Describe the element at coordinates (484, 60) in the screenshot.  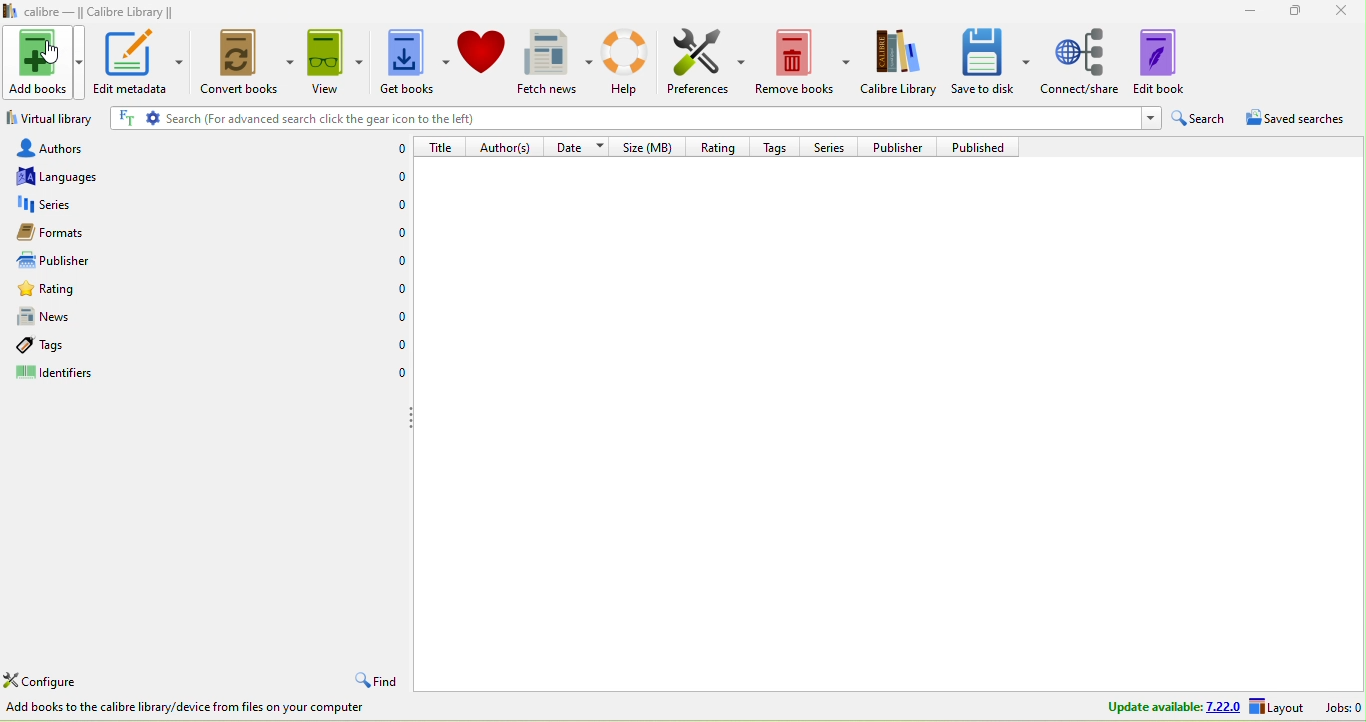
I see `donate` at that location.